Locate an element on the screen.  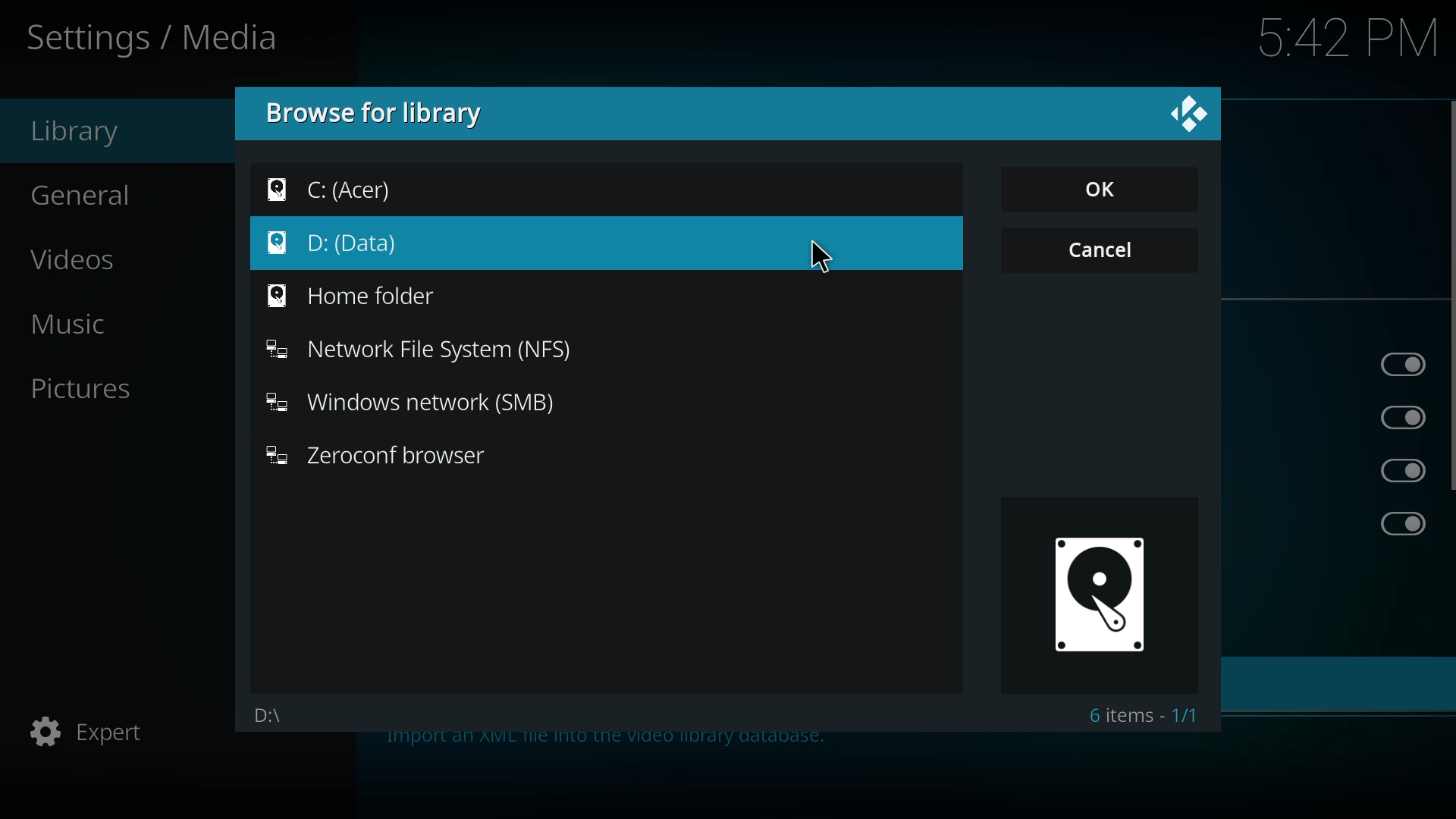
nfs is located at coordinates (432, 349).